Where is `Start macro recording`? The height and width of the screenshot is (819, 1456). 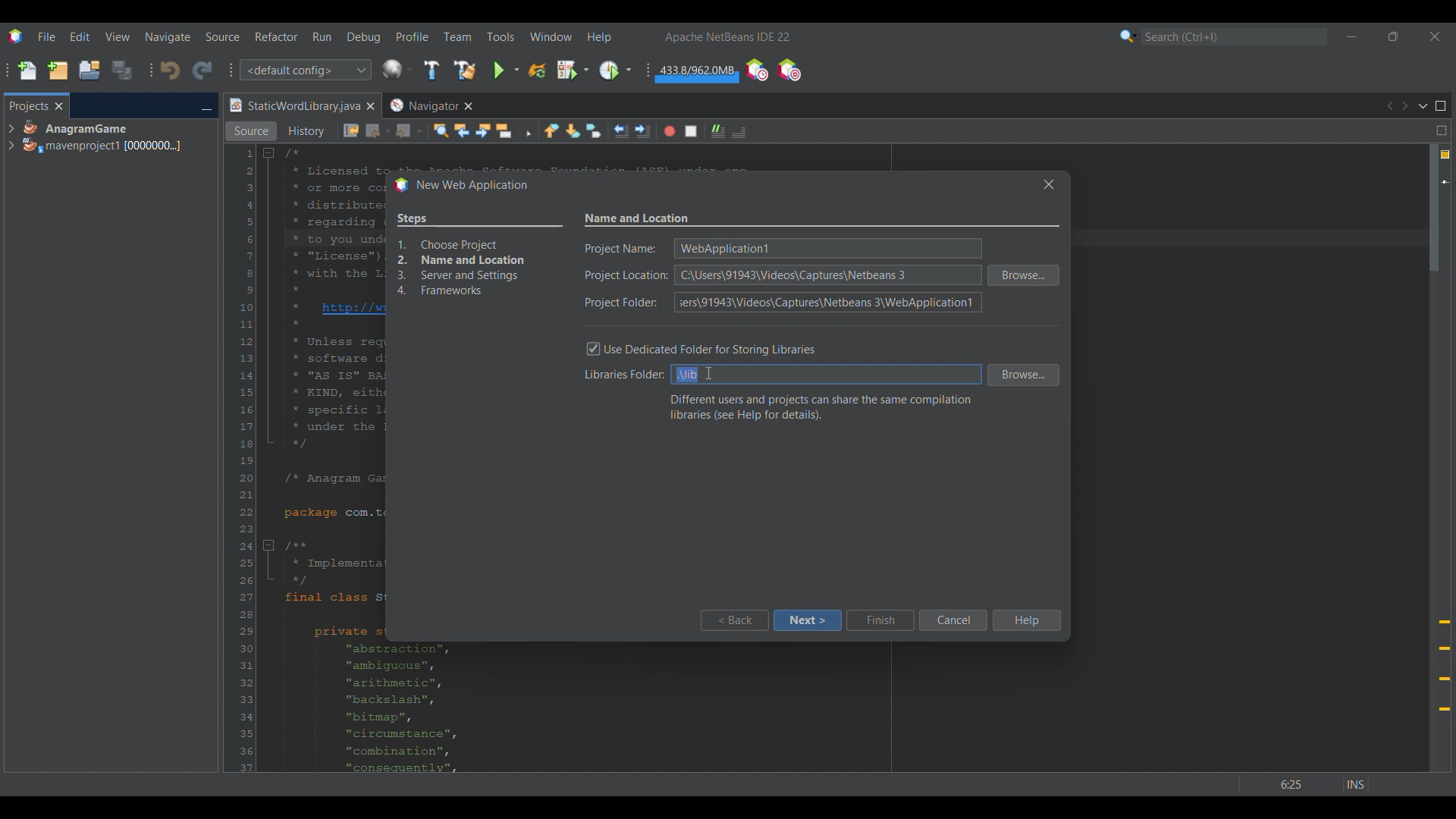
Start macro recording is located at coordinates (670, 131).